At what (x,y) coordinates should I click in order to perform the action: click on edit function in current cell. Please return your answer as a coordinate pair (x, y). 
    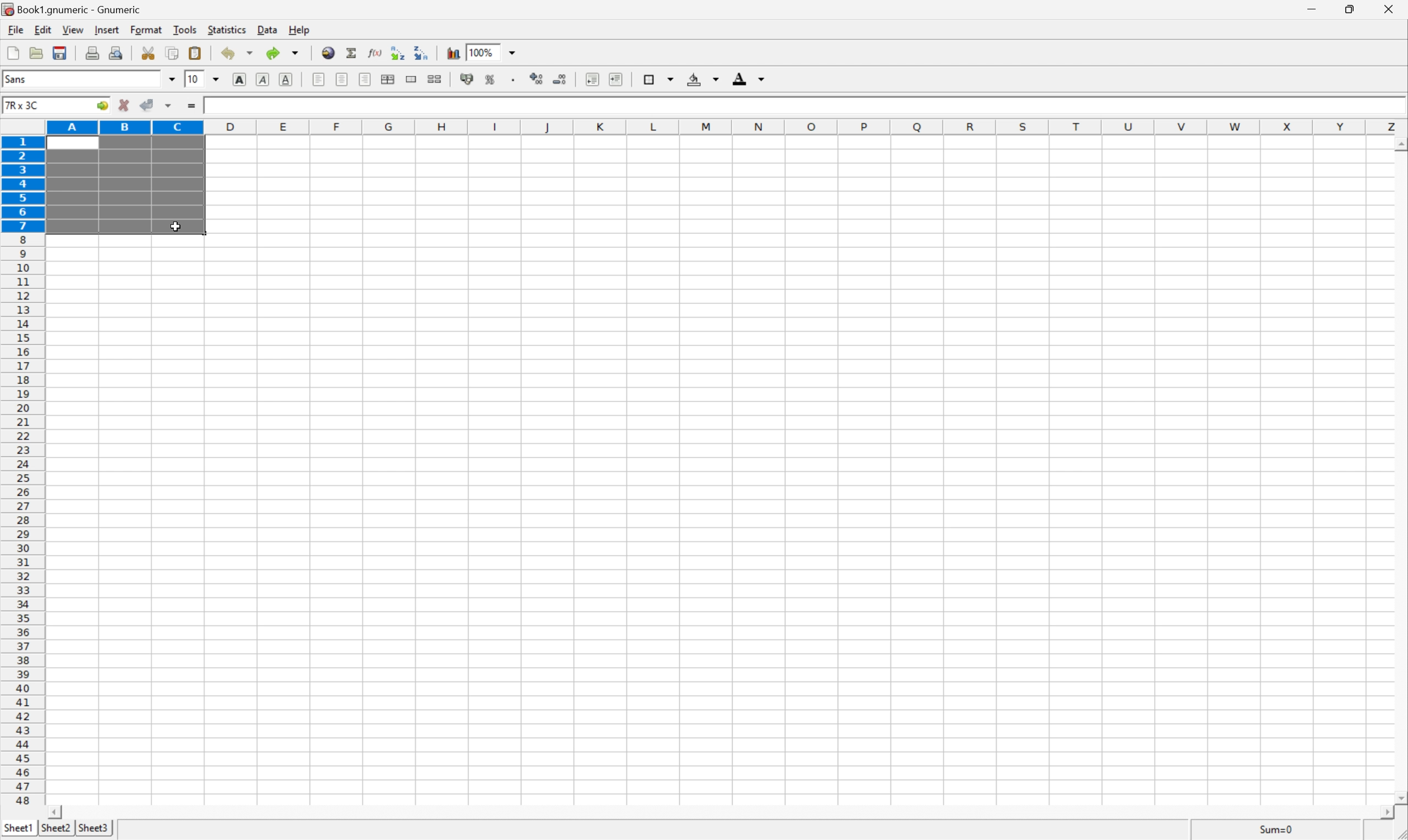
    Looking at the image, I should click on (375, 52).